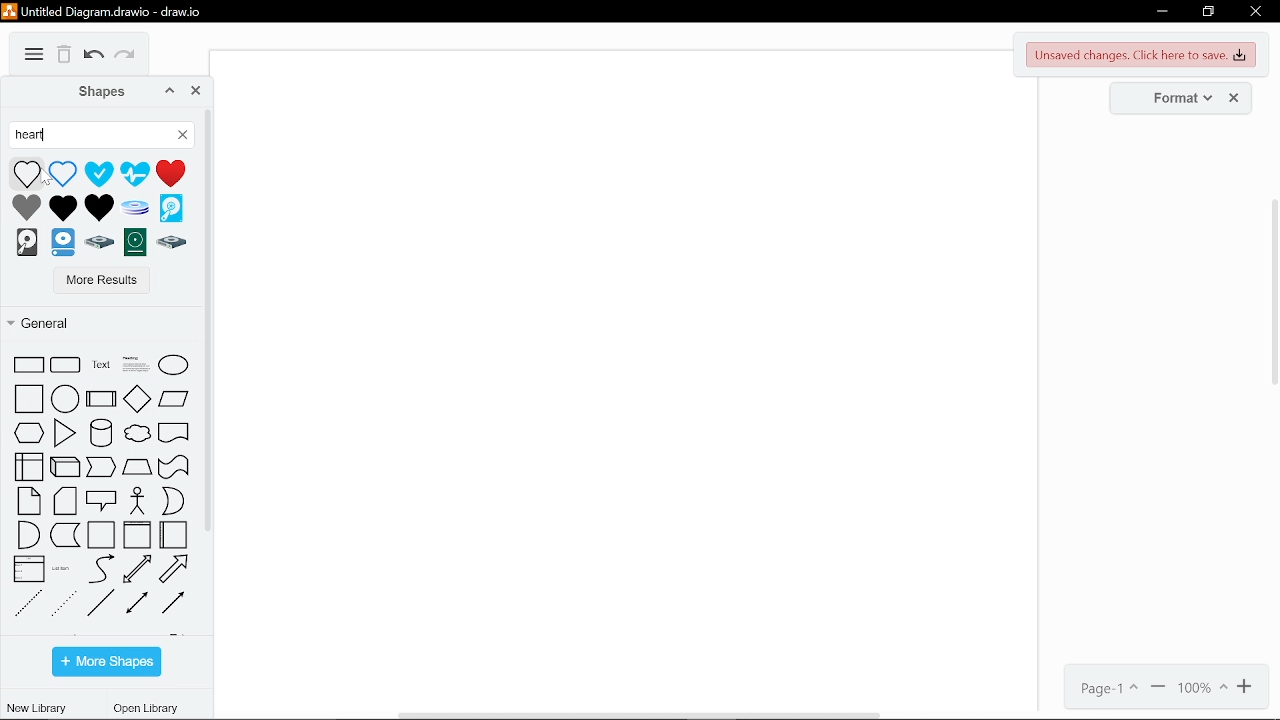 This screenshot has height=720, width=1280. I want to click on hard disk, so click(135, 208).